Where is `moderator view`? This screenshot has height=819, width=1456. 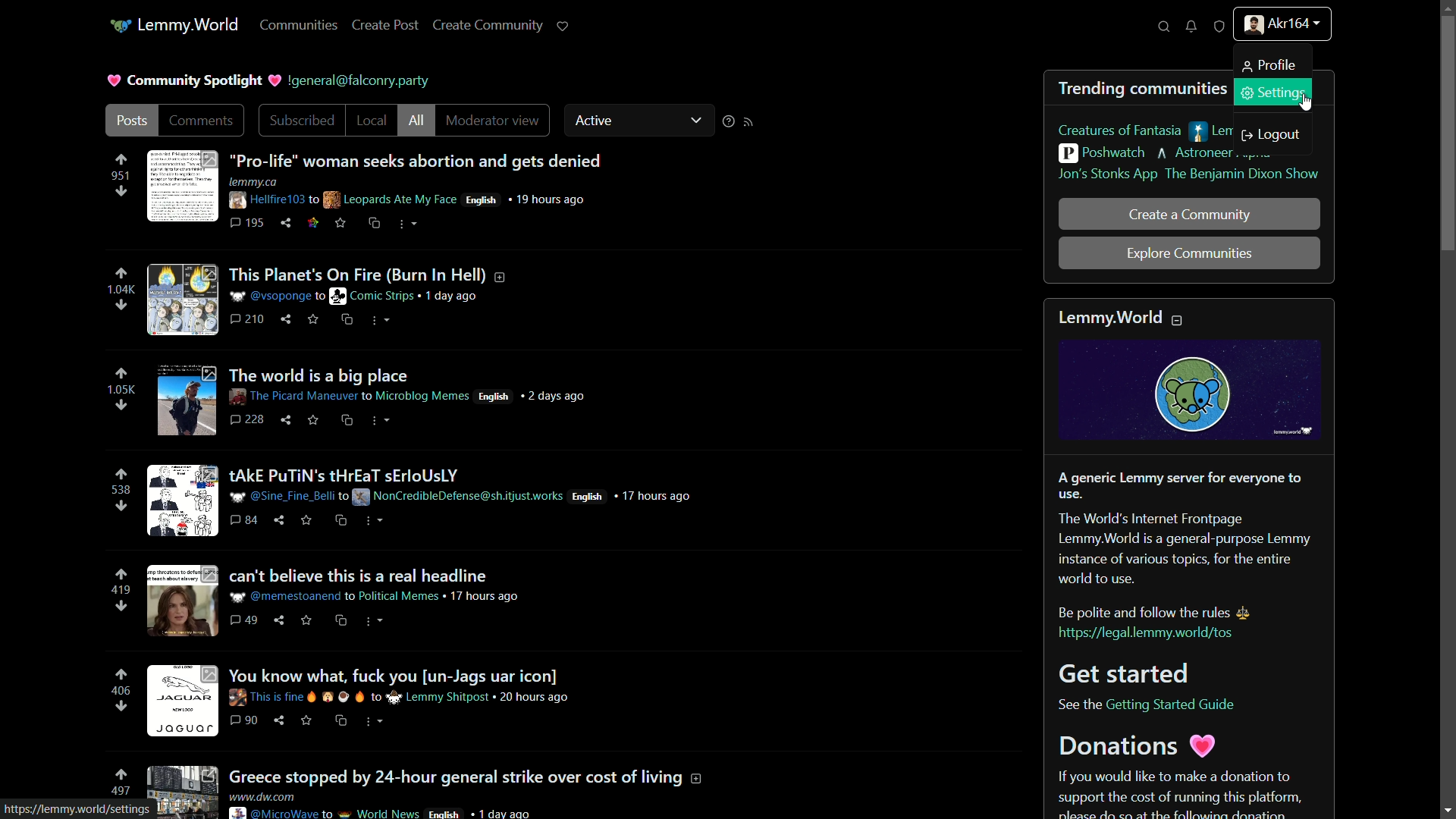 moderator view is located at coordinates (498, 119).